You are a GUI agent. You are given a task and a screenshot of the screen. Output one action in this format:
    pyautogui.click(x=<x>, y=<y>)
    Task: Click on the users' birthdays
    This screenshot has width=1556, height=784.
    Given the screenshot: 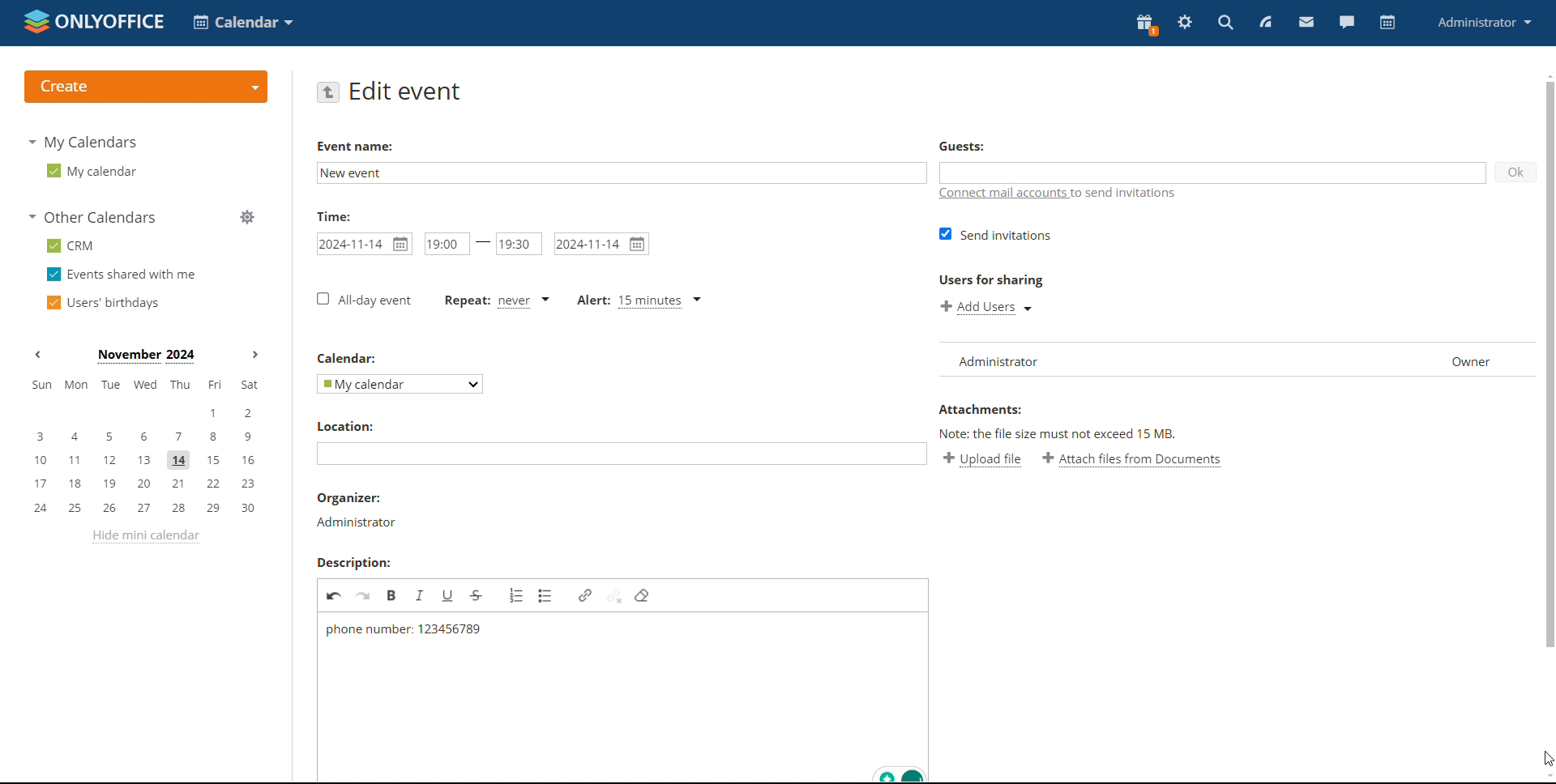 What is the action you would take?
    pyautogui.click(x=100, y=303)
    